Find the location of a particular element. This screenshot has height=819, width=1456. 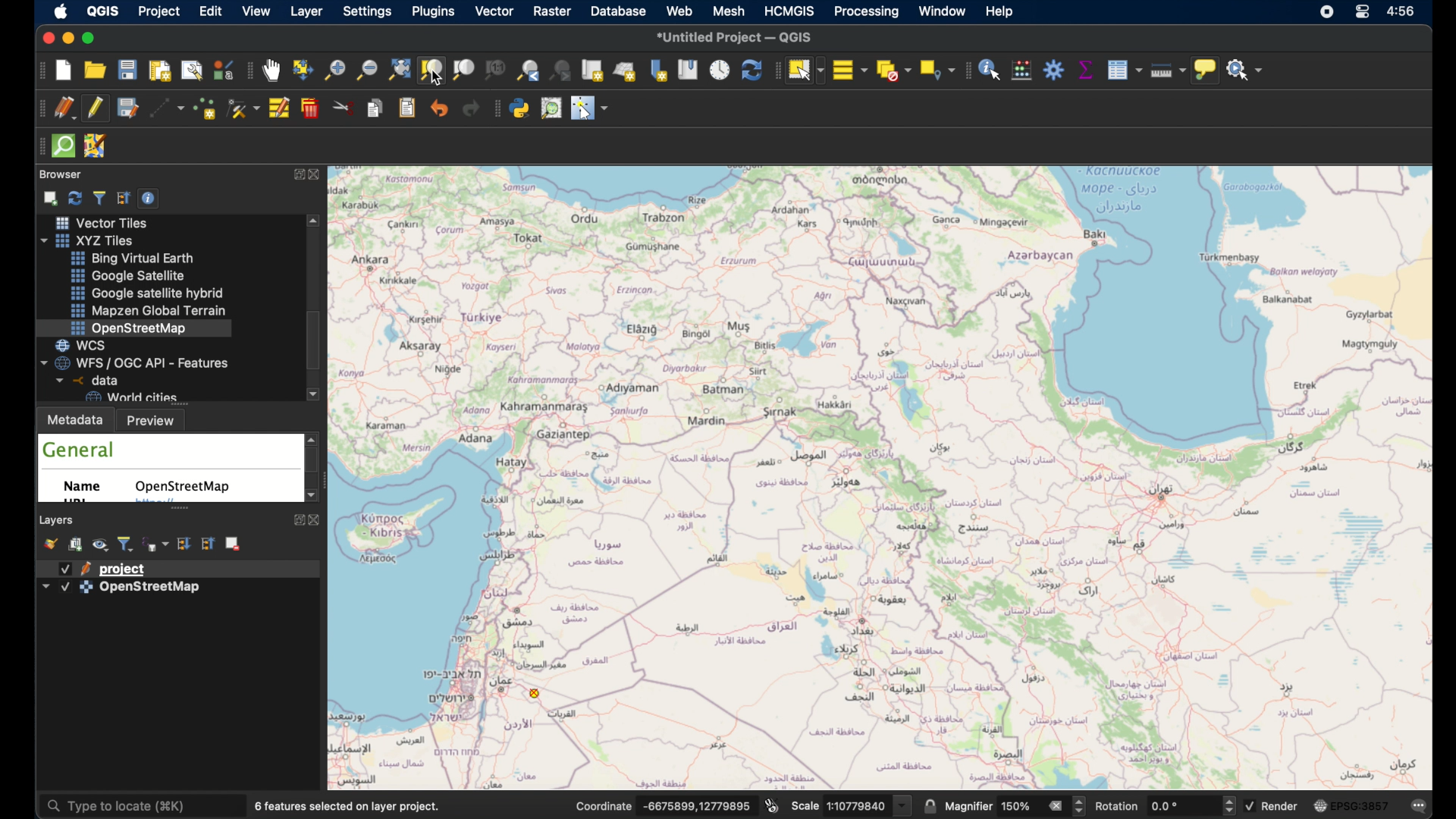

edit is located at coordinates (212, 11).